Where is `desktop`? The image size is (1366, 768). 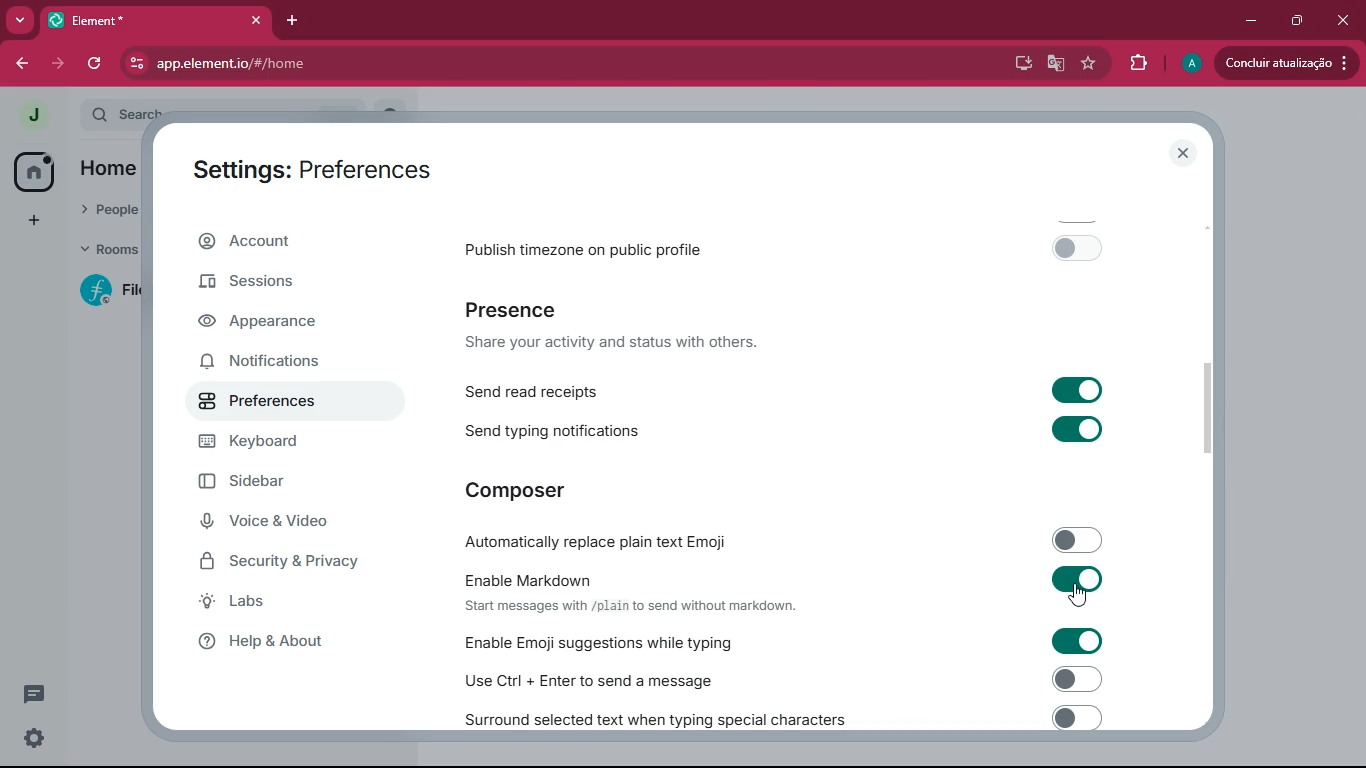
desktop is located at coordinates (1017, 64).